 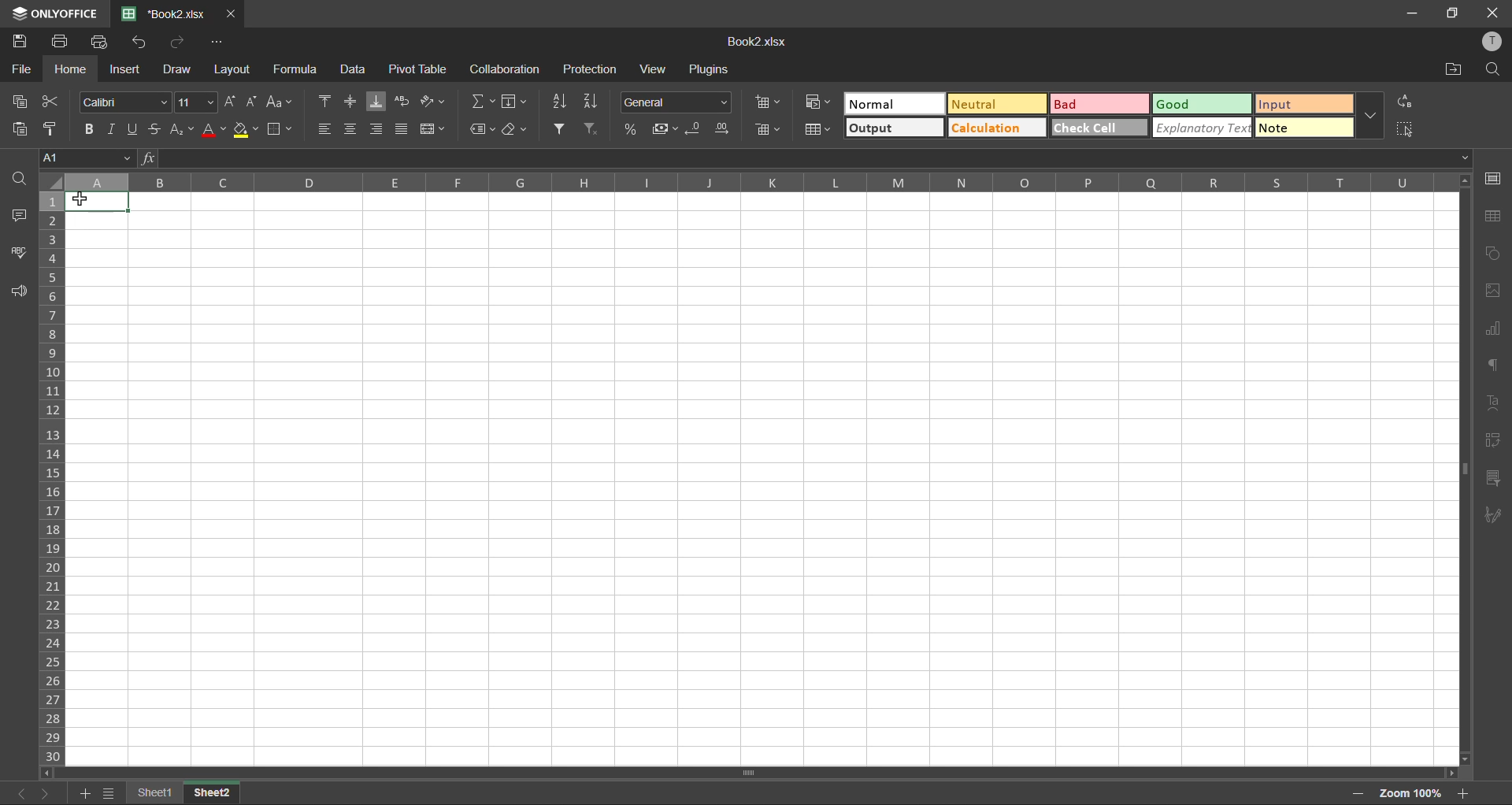 I want to click on open location, so click(x=1449, y=70).